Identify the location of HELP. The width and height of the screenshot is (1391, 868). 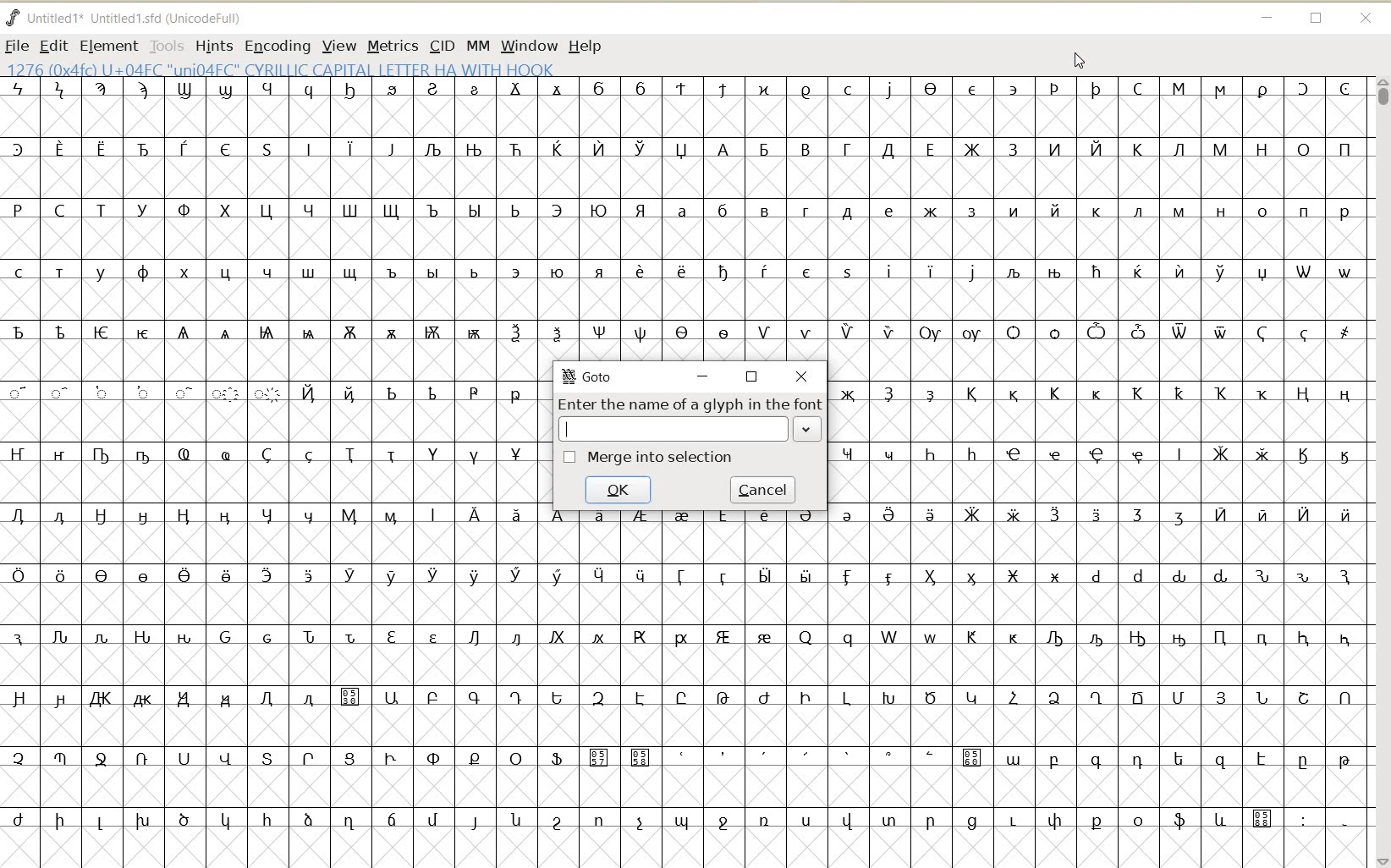
(587, 45).